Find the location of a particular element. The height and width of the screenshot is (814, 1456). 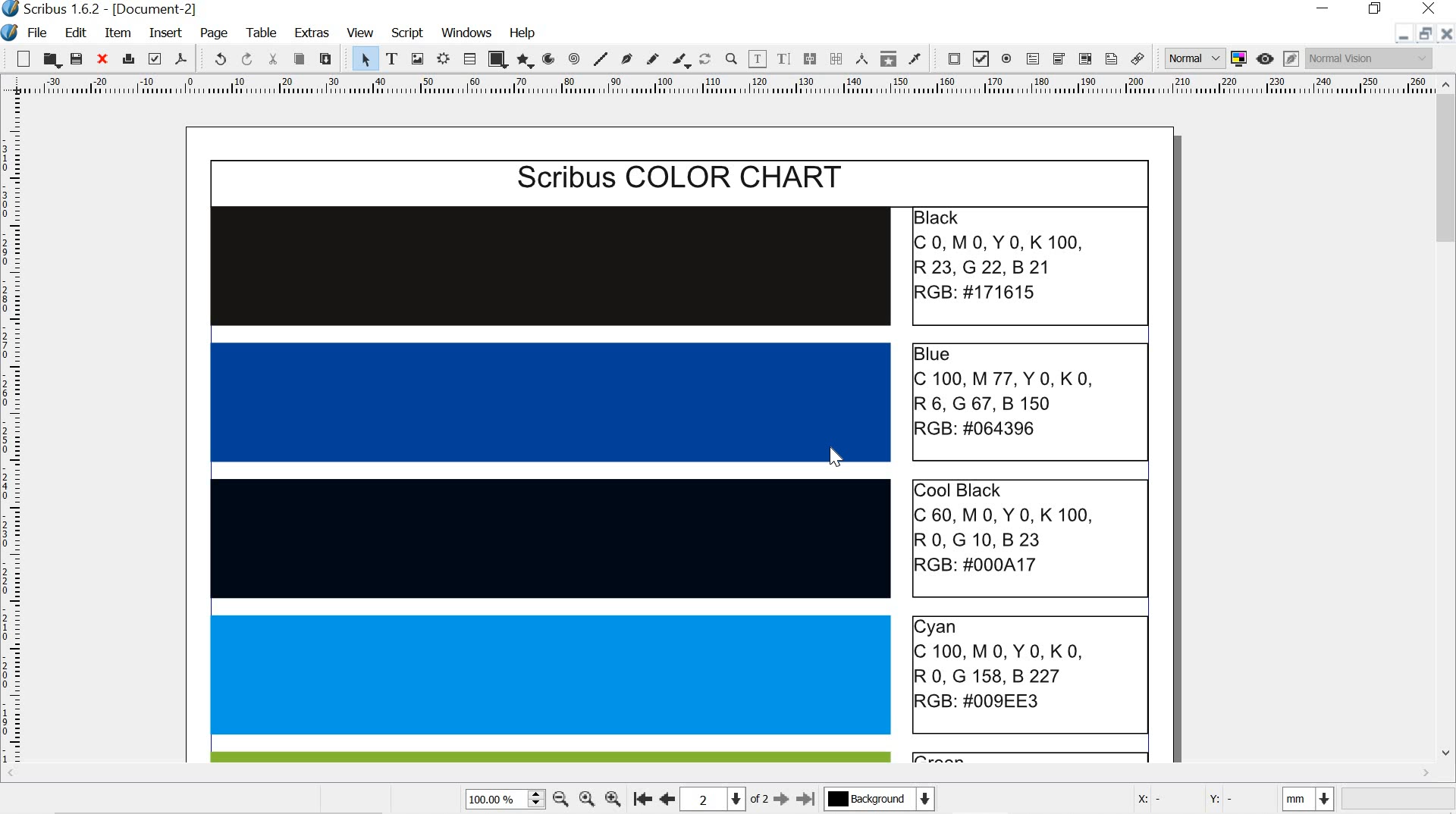

First page is located at coordinates (640, 798).